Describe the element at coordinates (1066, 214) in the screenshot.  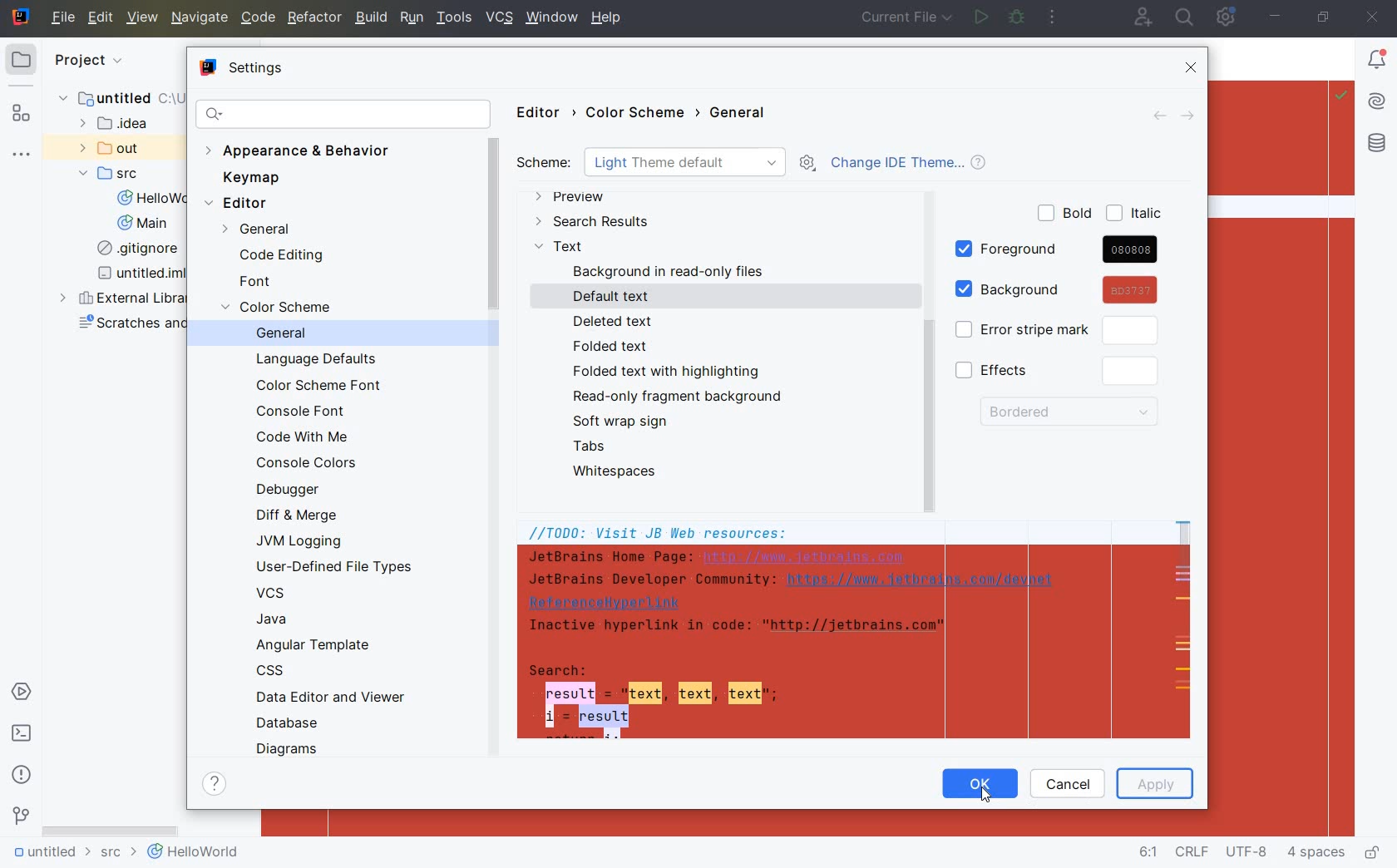
I see `BOLD` at that location.